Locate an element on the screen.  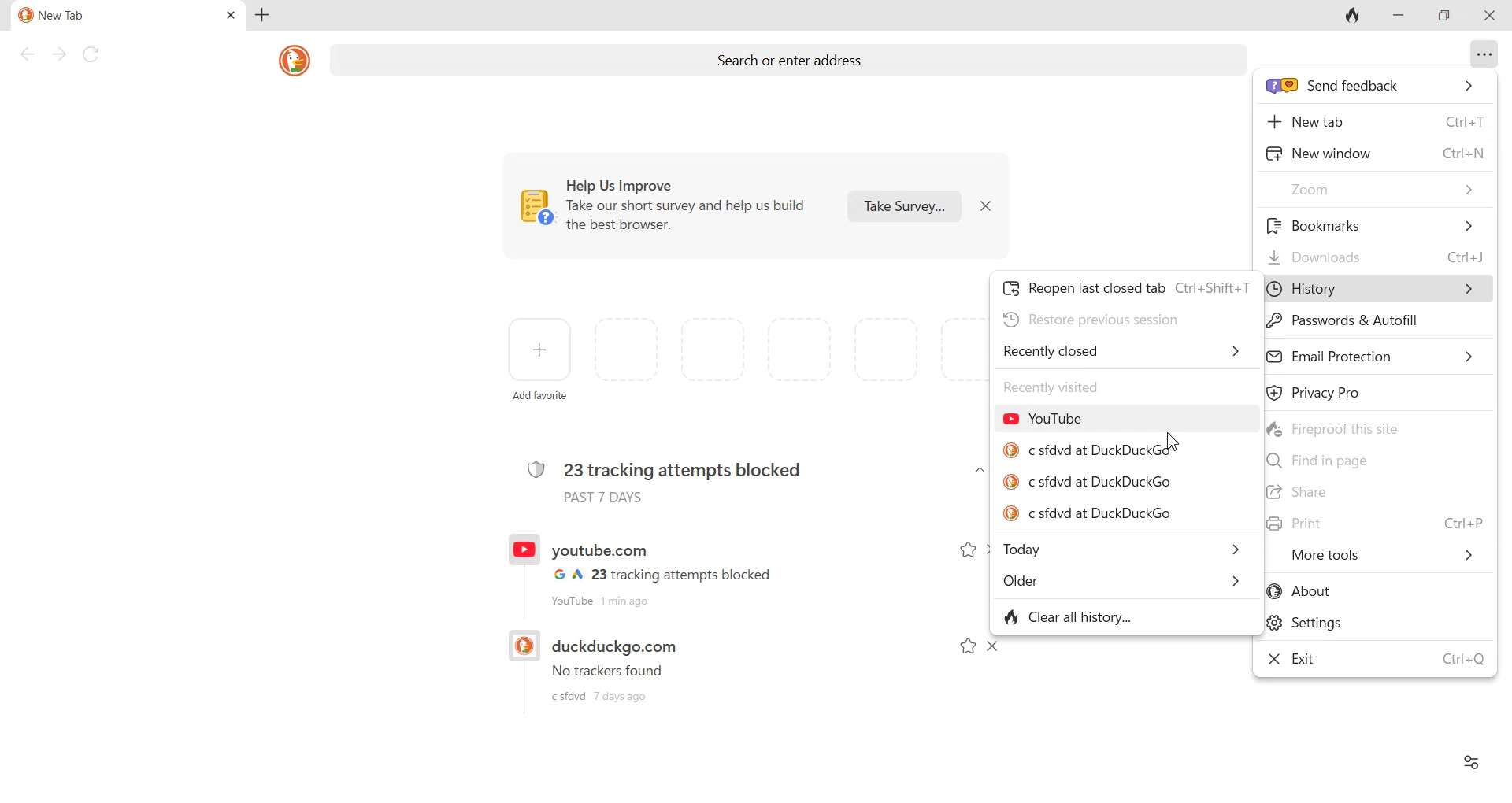
Maximize is located at coordinates (1447, 17).